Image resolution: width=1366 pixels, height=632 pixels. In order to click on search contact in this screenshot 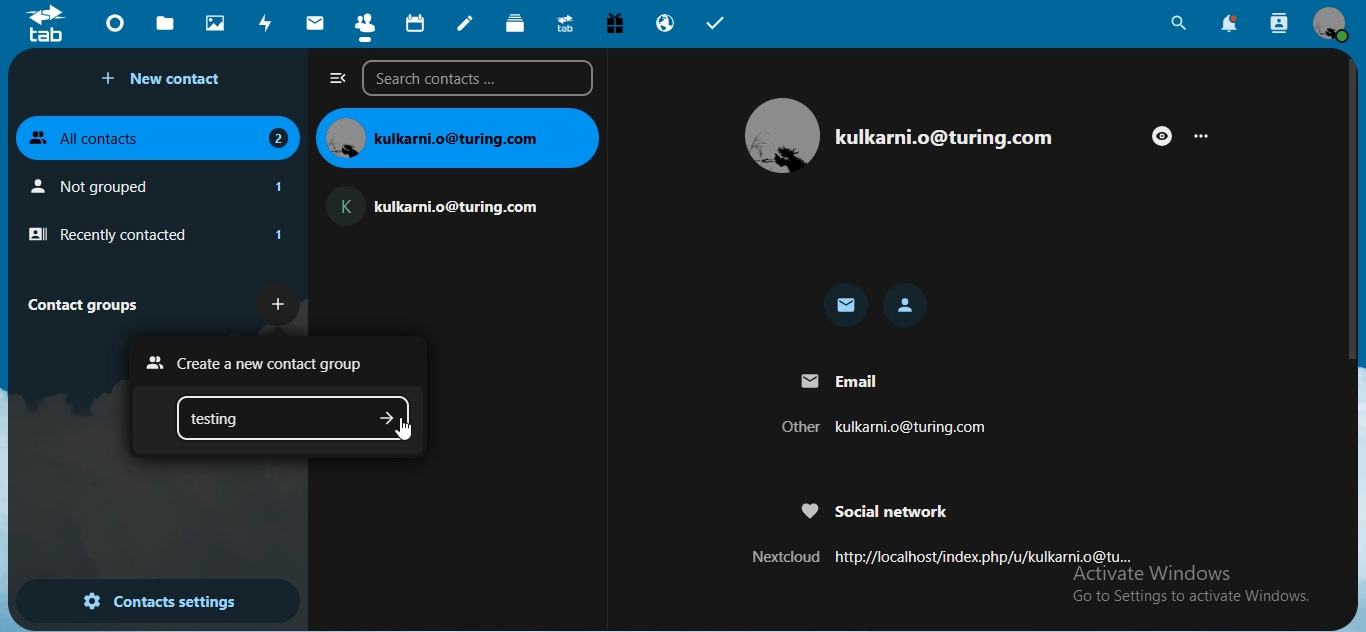, I will do `click(482, 78)`.